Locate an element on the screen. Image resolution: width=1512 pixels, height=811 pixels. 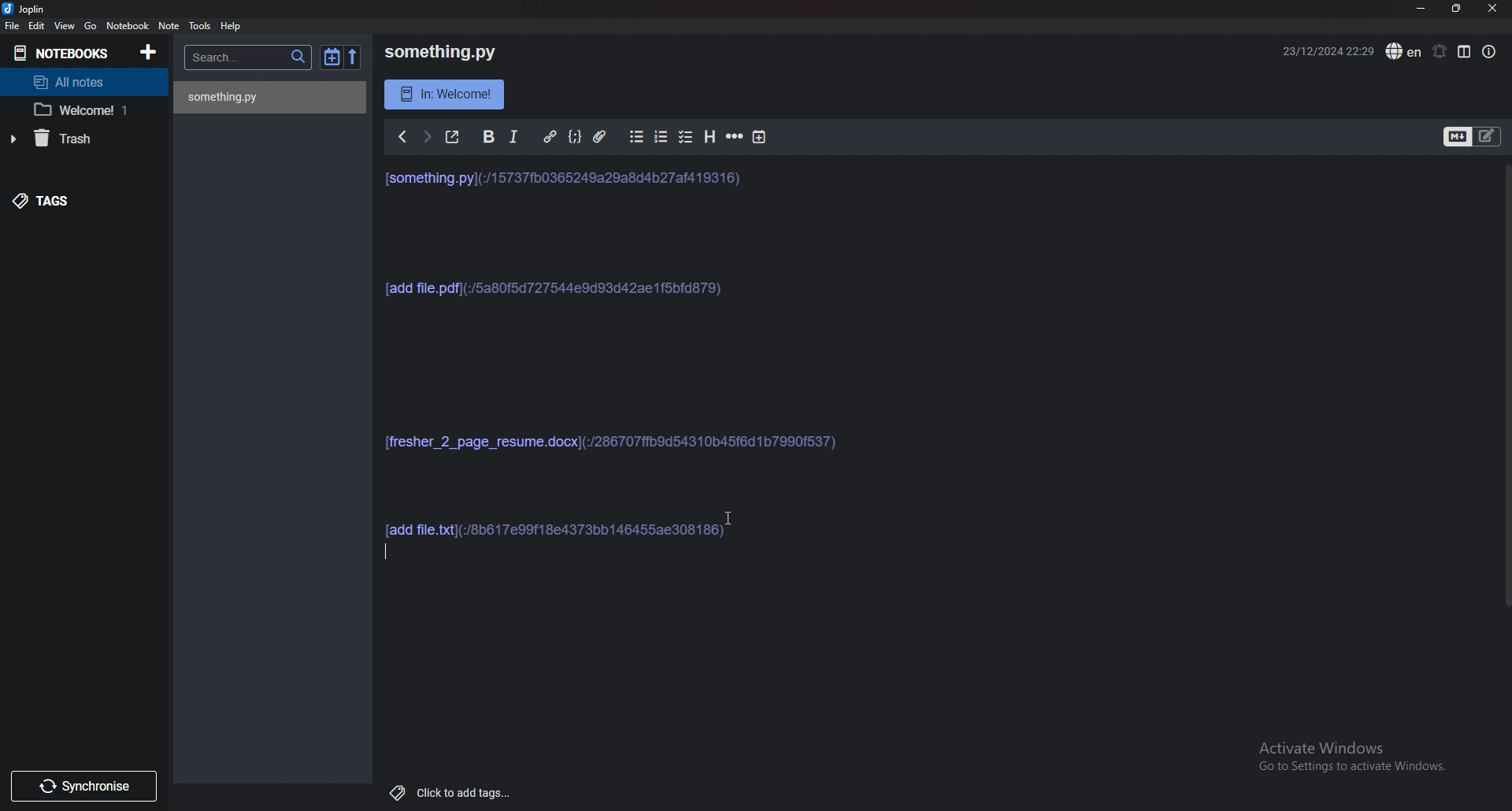
Tags is located at coordinates (60, 202).